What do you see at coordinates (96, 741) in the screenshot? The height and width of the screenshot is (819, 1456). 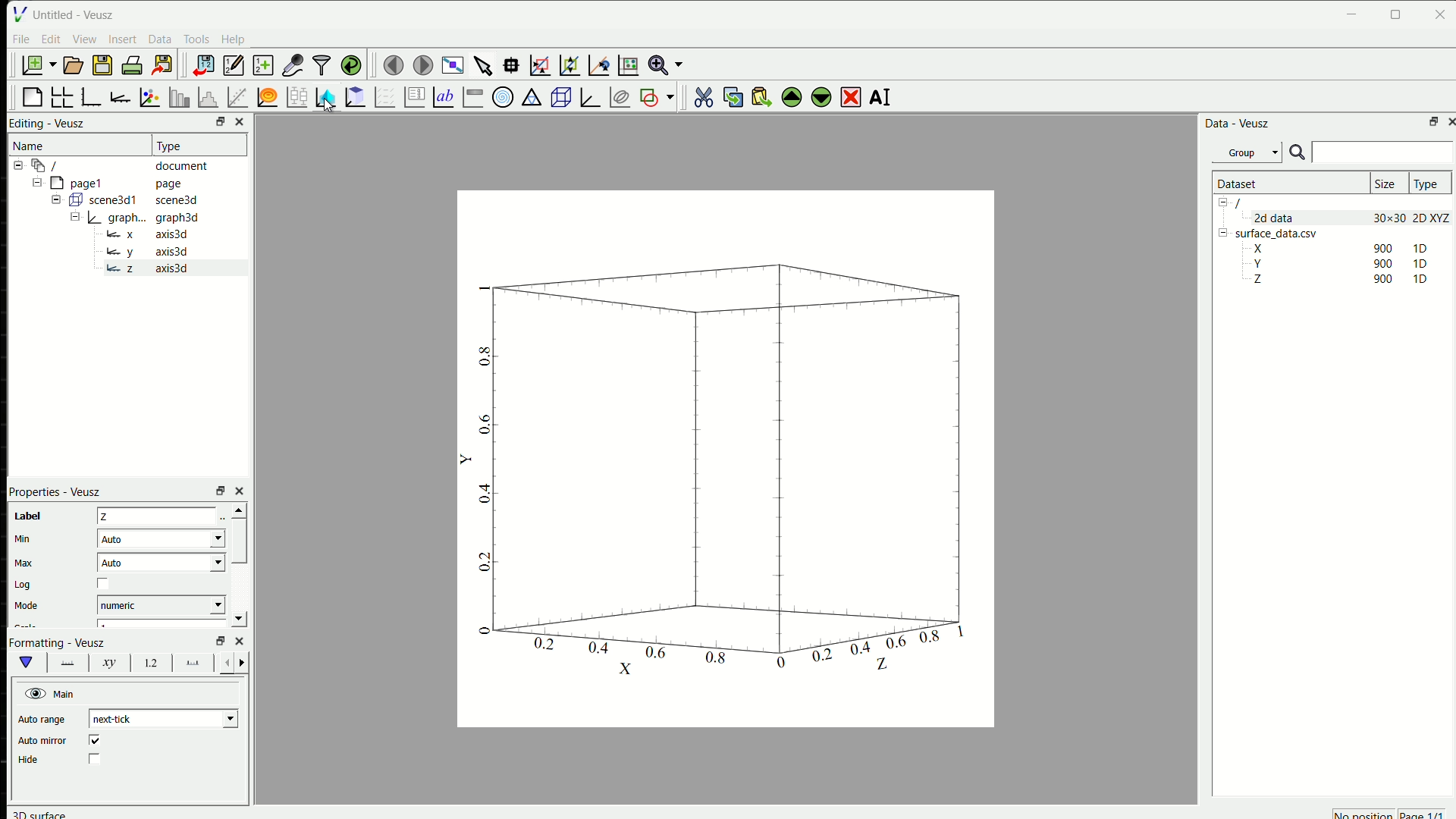 I see `checked box` at bounding box center [96, 741].